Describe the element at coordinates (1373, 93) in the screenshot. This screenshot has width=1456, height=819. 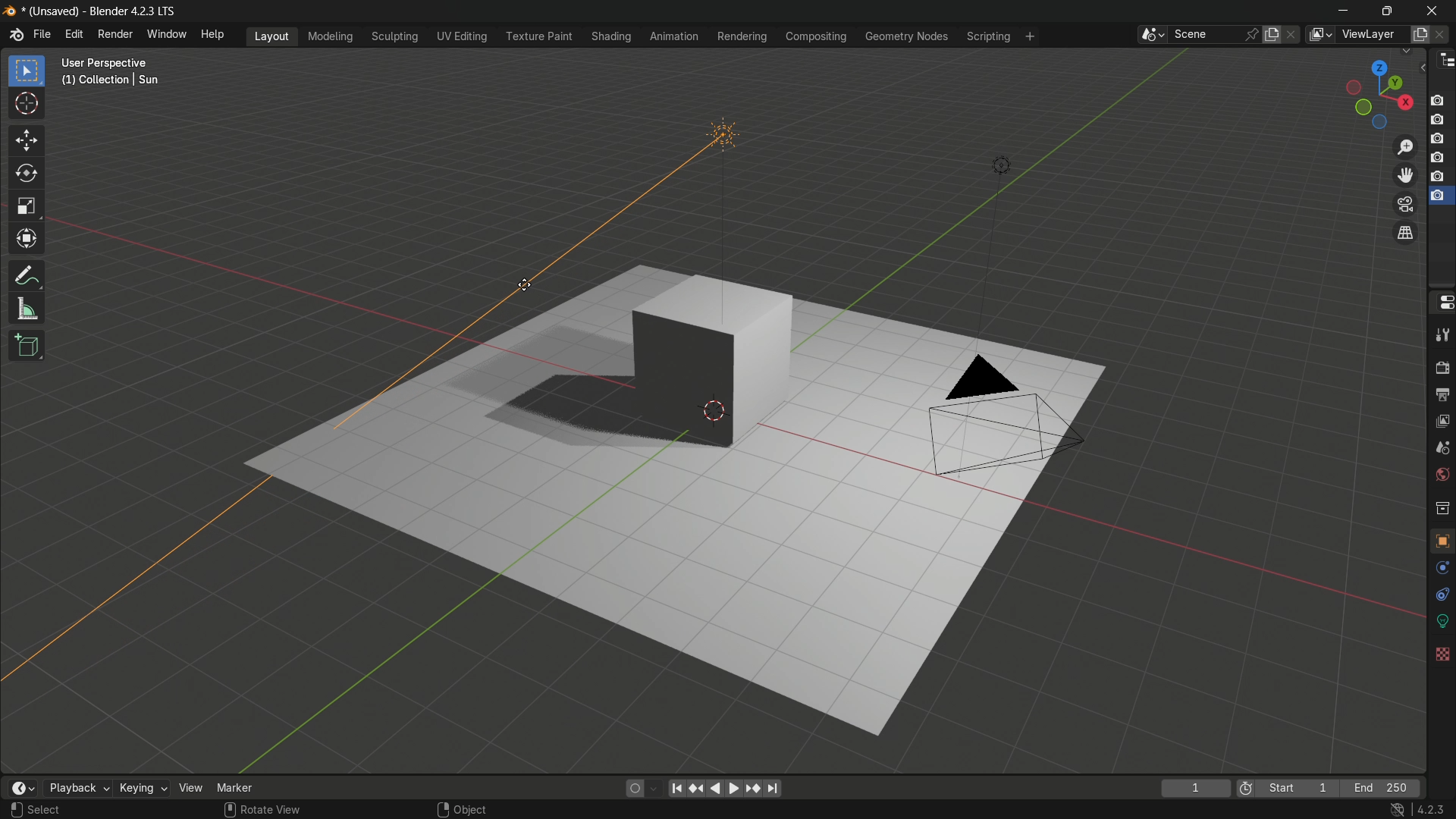
I see `rotate or preset viewpoint` at that location.